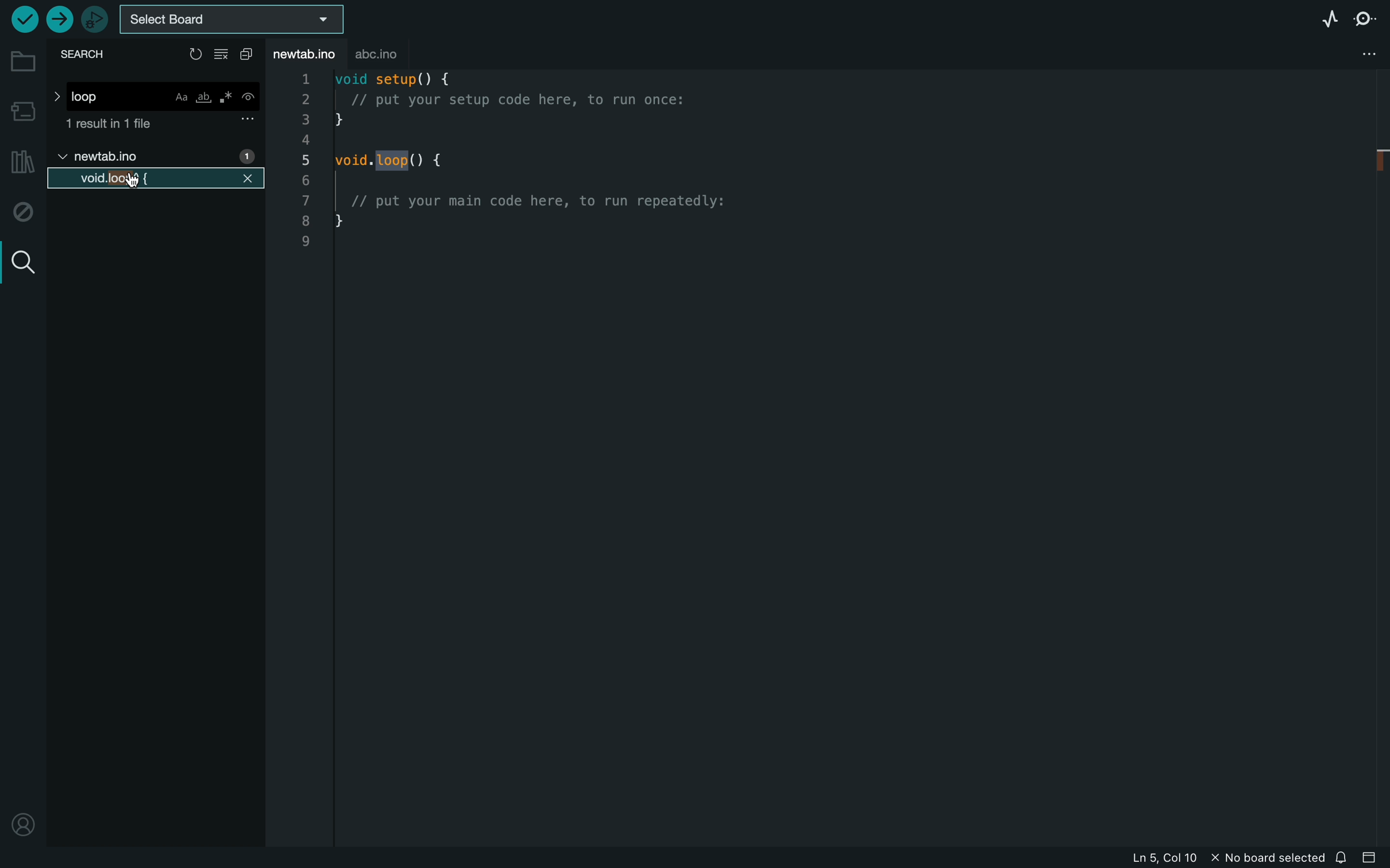 This screenshot has width=1390, height=868. I want to click on copy, so click(250, 55).